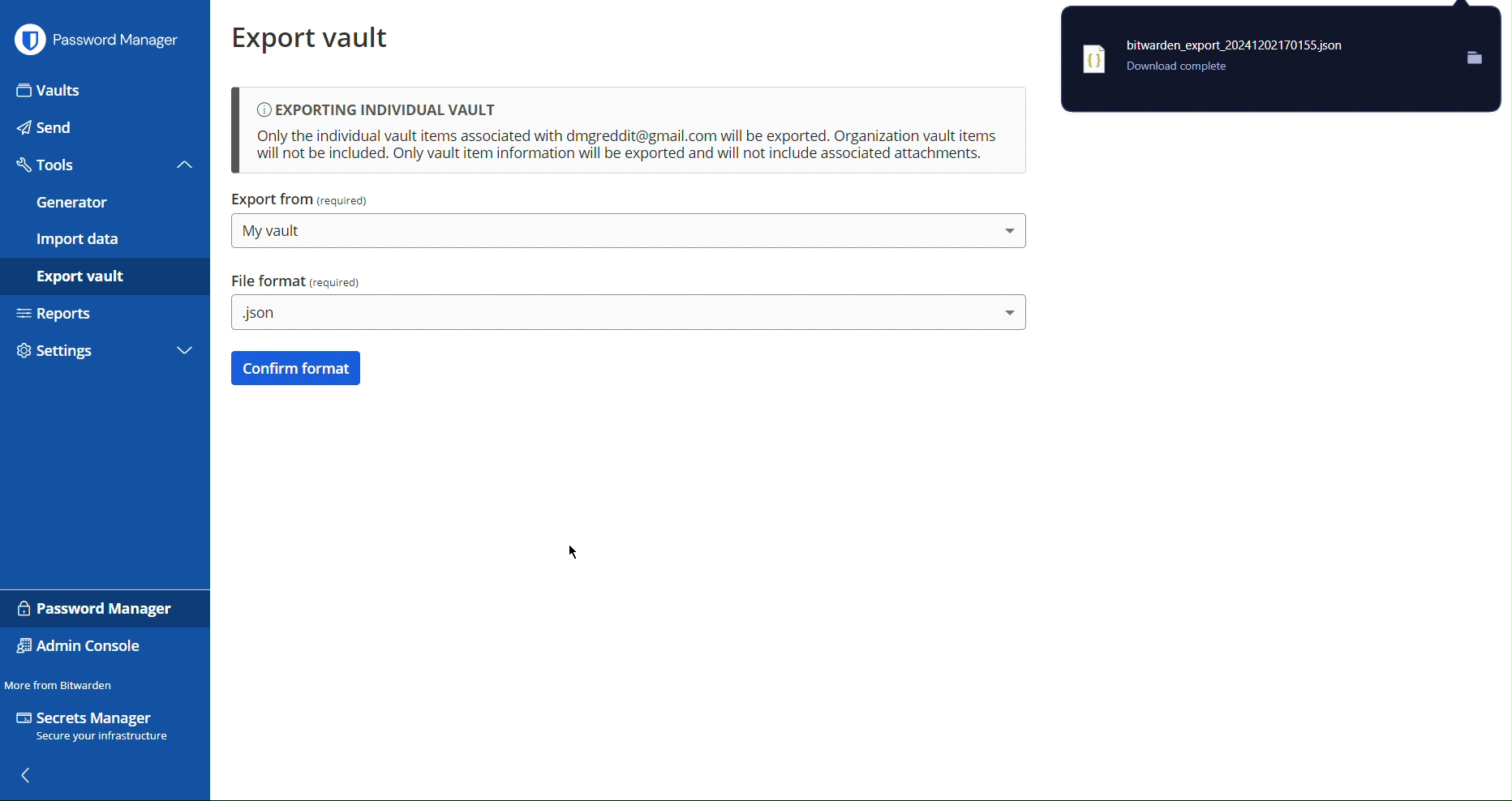 The image size is (1512, 801). What do you see at coordinates (105, 318) in the screenshot?
I see `Reports` at bounding box center [105, 318].